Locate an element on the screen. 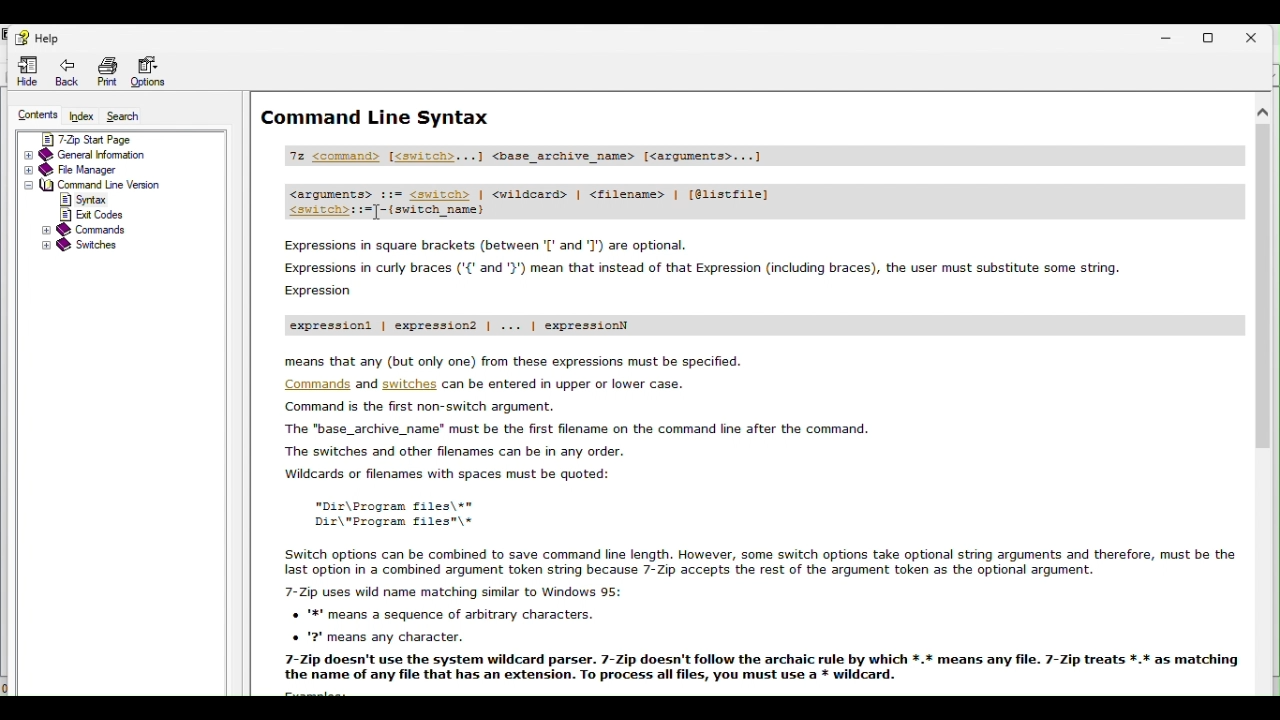 The height and width of the screenshot is (720, 1280). and is located at coordinates (370, 384).